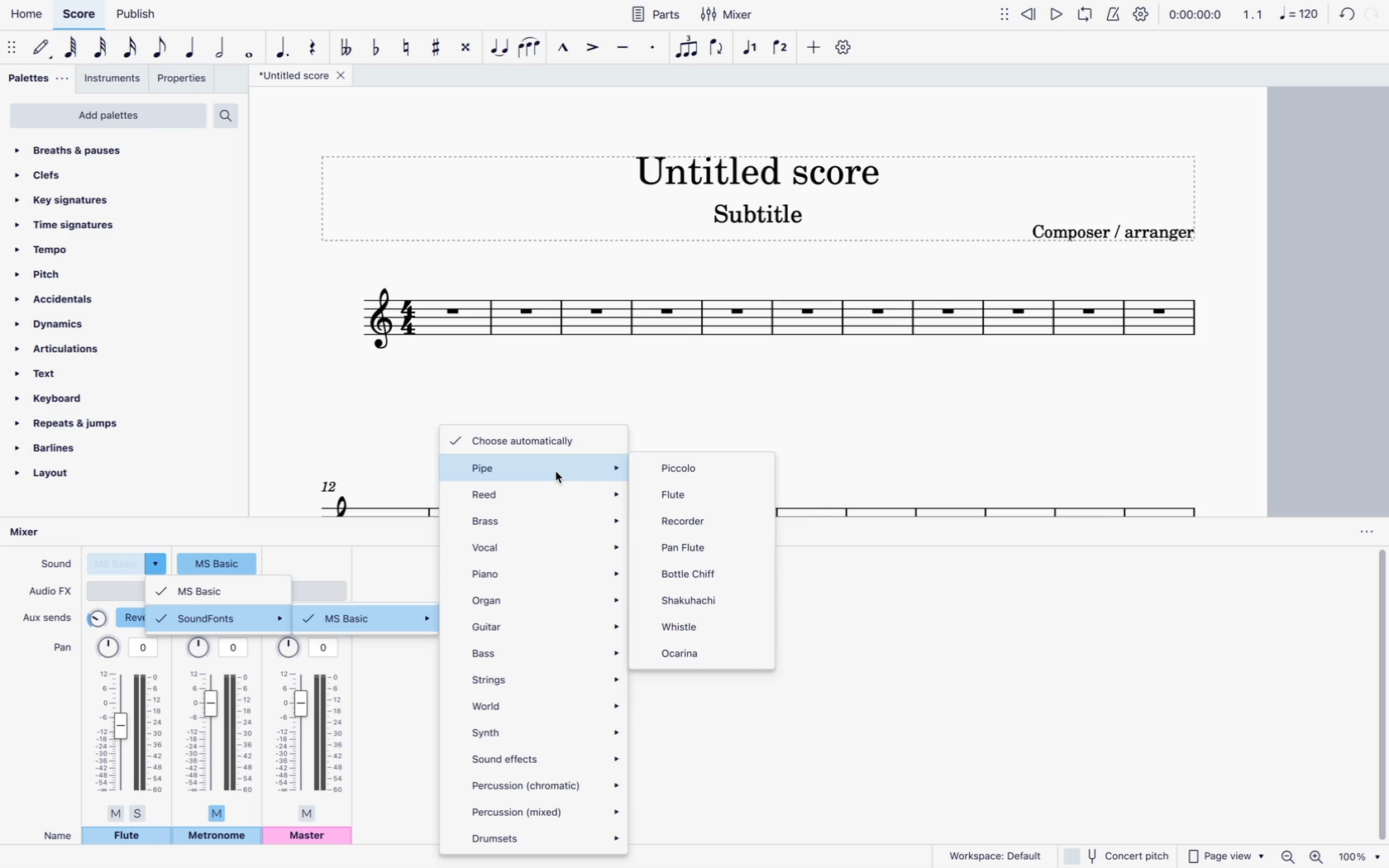 The image size is (1389, 868). I want to click on home, so click(25, 14).